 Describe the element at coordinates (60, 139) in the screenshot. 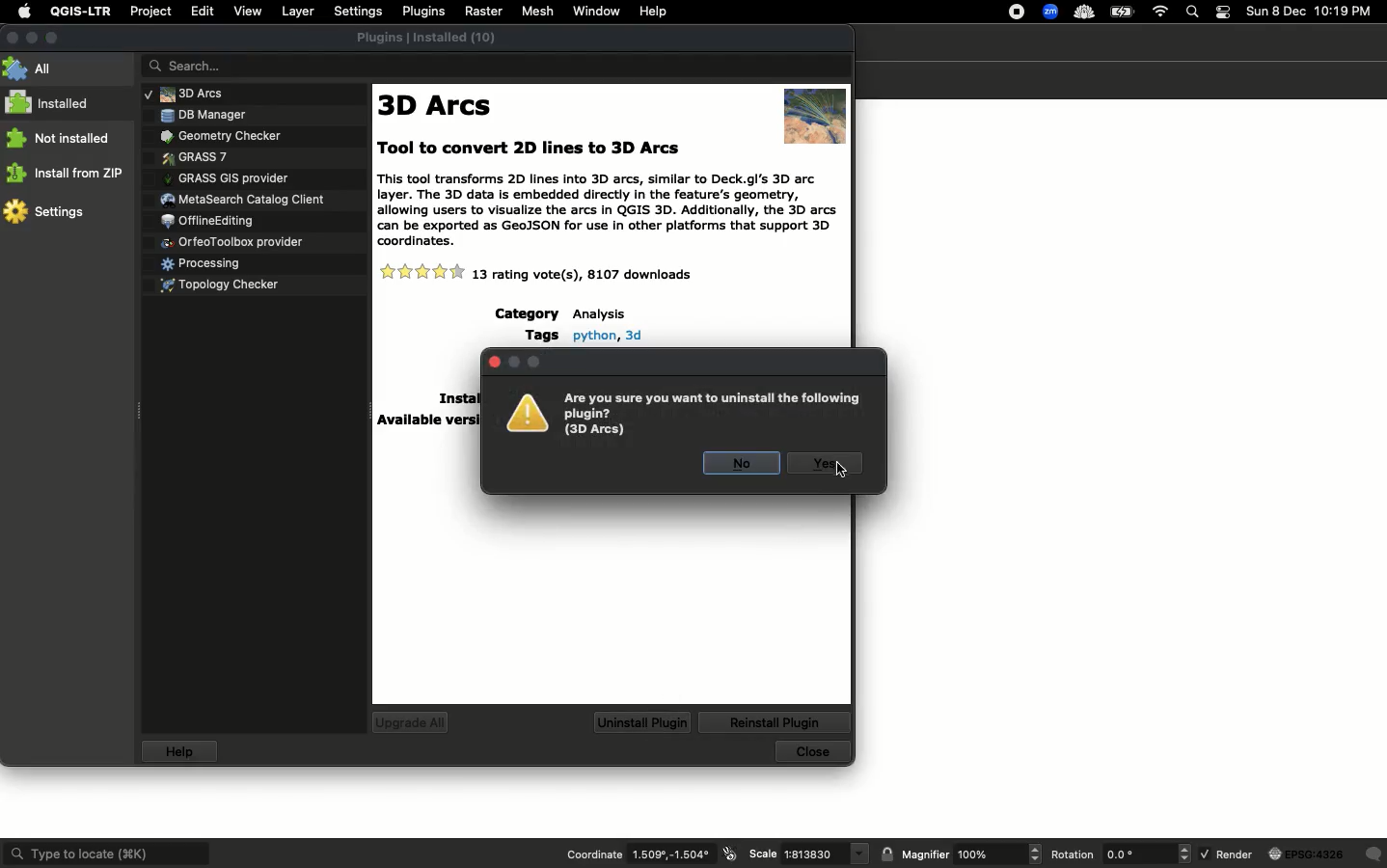

I see `Not installed` at that location.